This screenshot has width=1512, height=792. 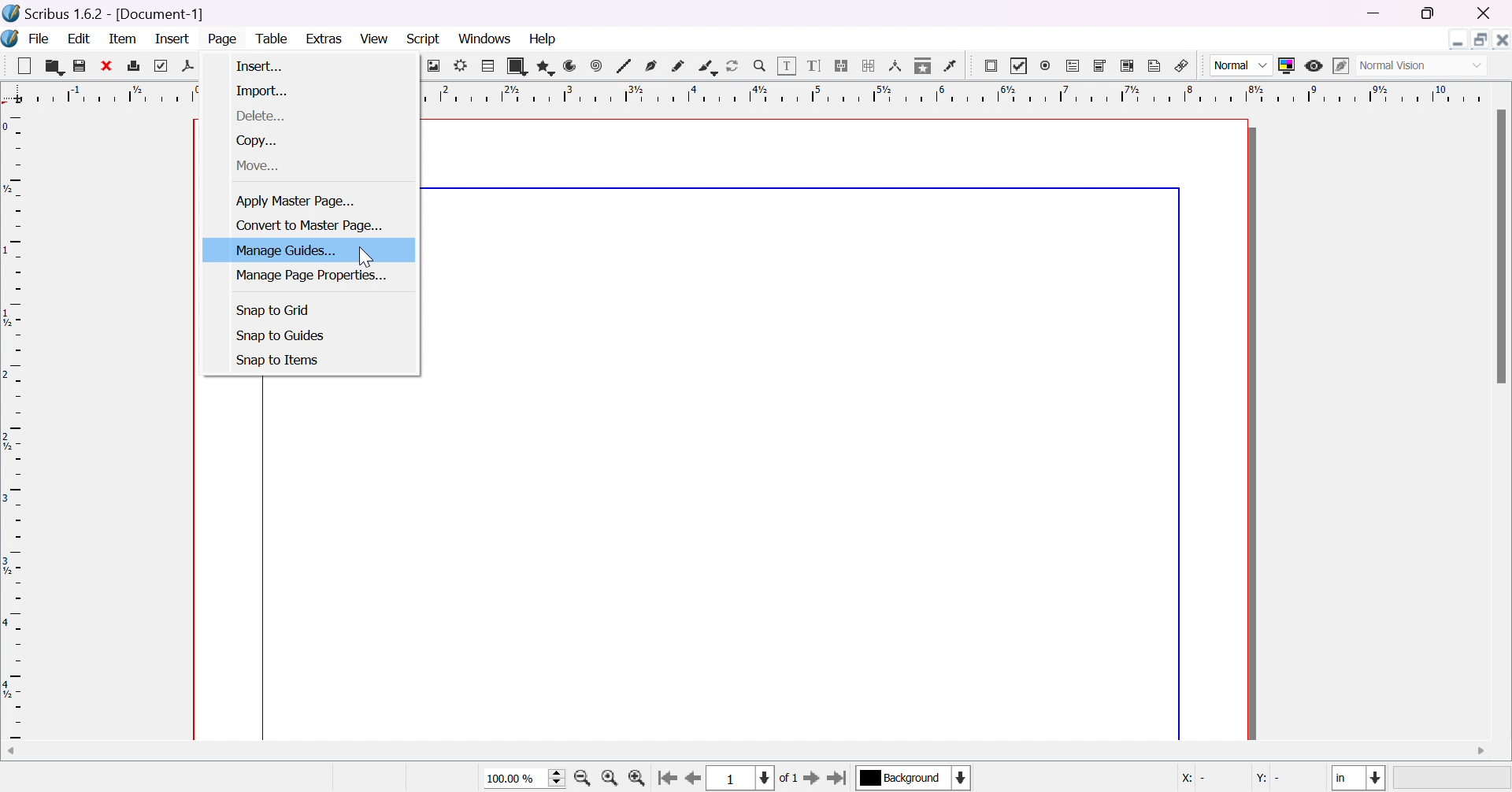 I want to click on link text frames, so click(x=844, y=67).